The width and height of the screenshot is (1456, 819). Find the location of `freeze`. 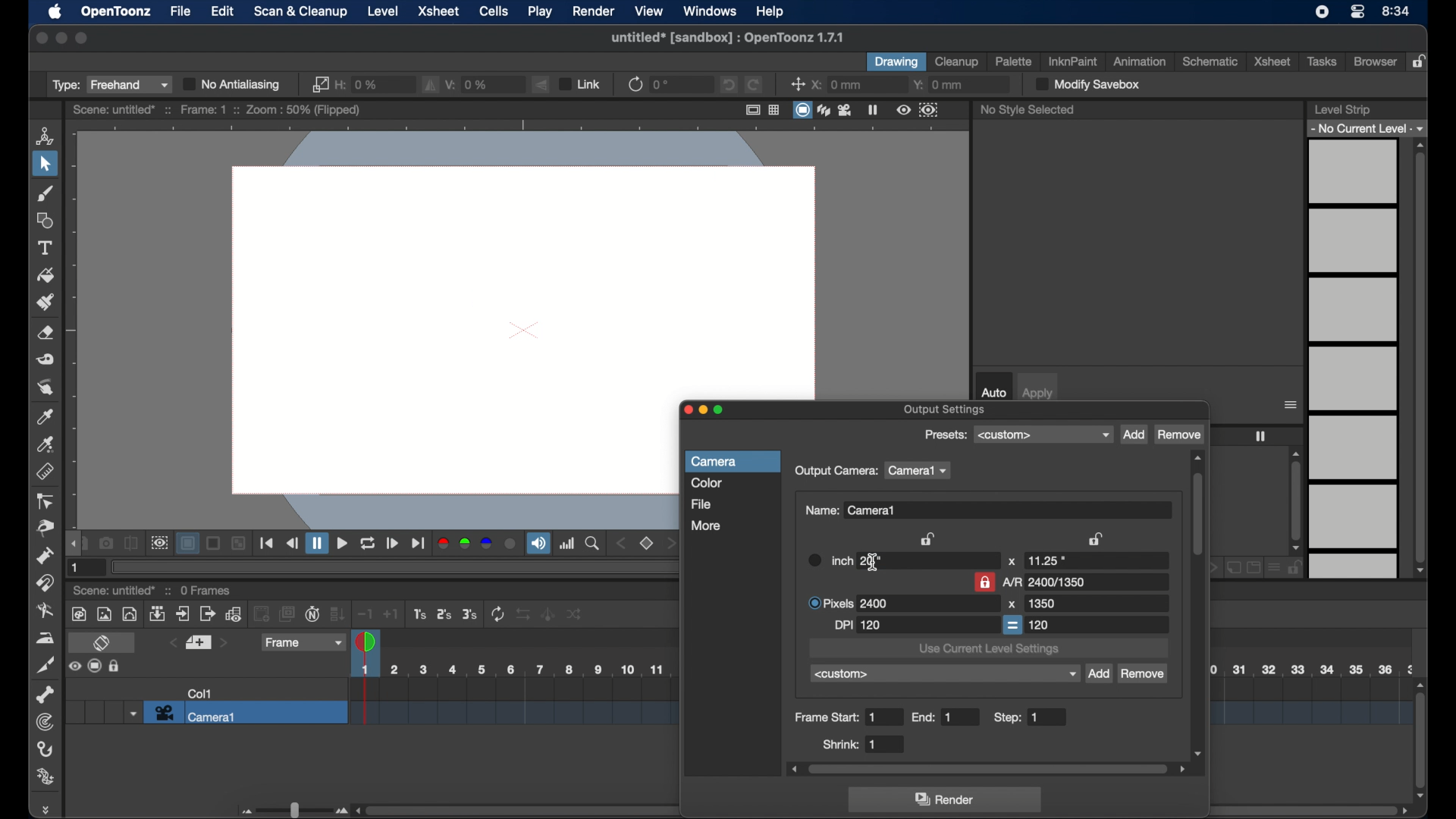

freeze is located at coordinates (1260, 436).